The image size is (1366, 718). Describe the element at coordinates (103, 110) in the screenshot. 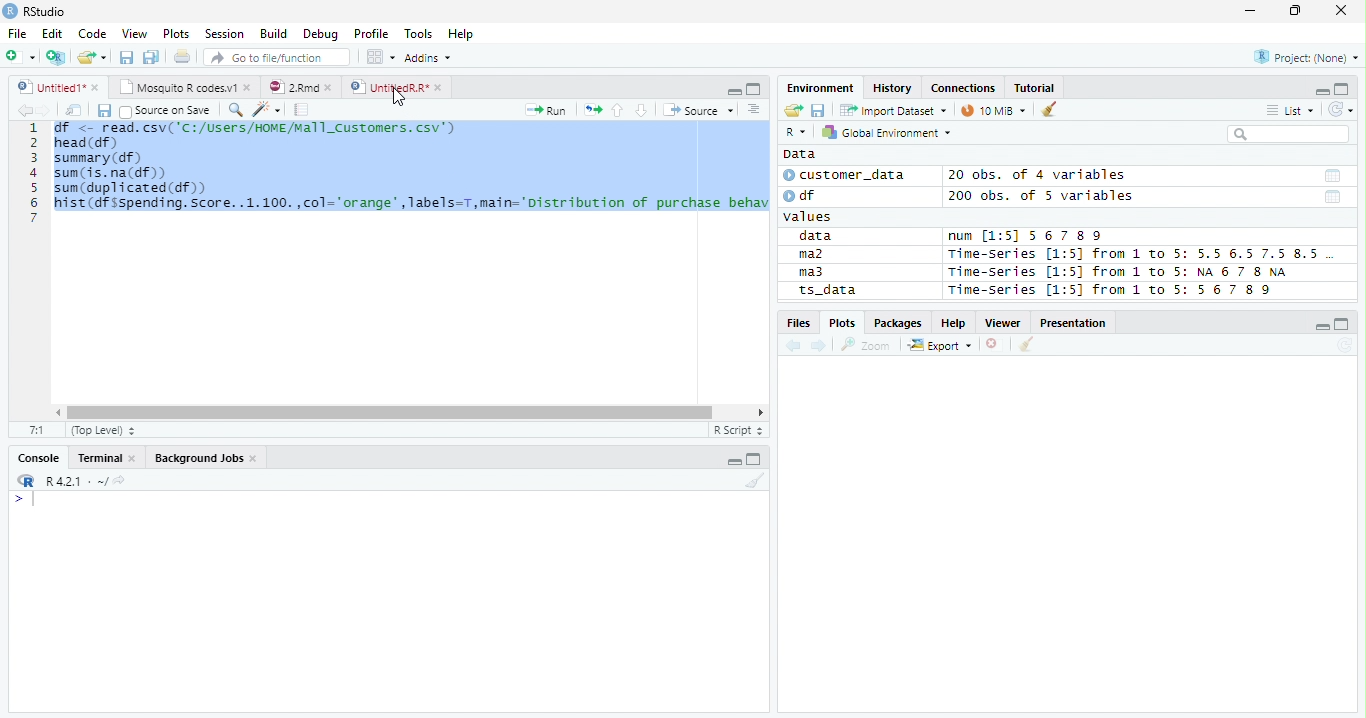

I see `Save` at that location.